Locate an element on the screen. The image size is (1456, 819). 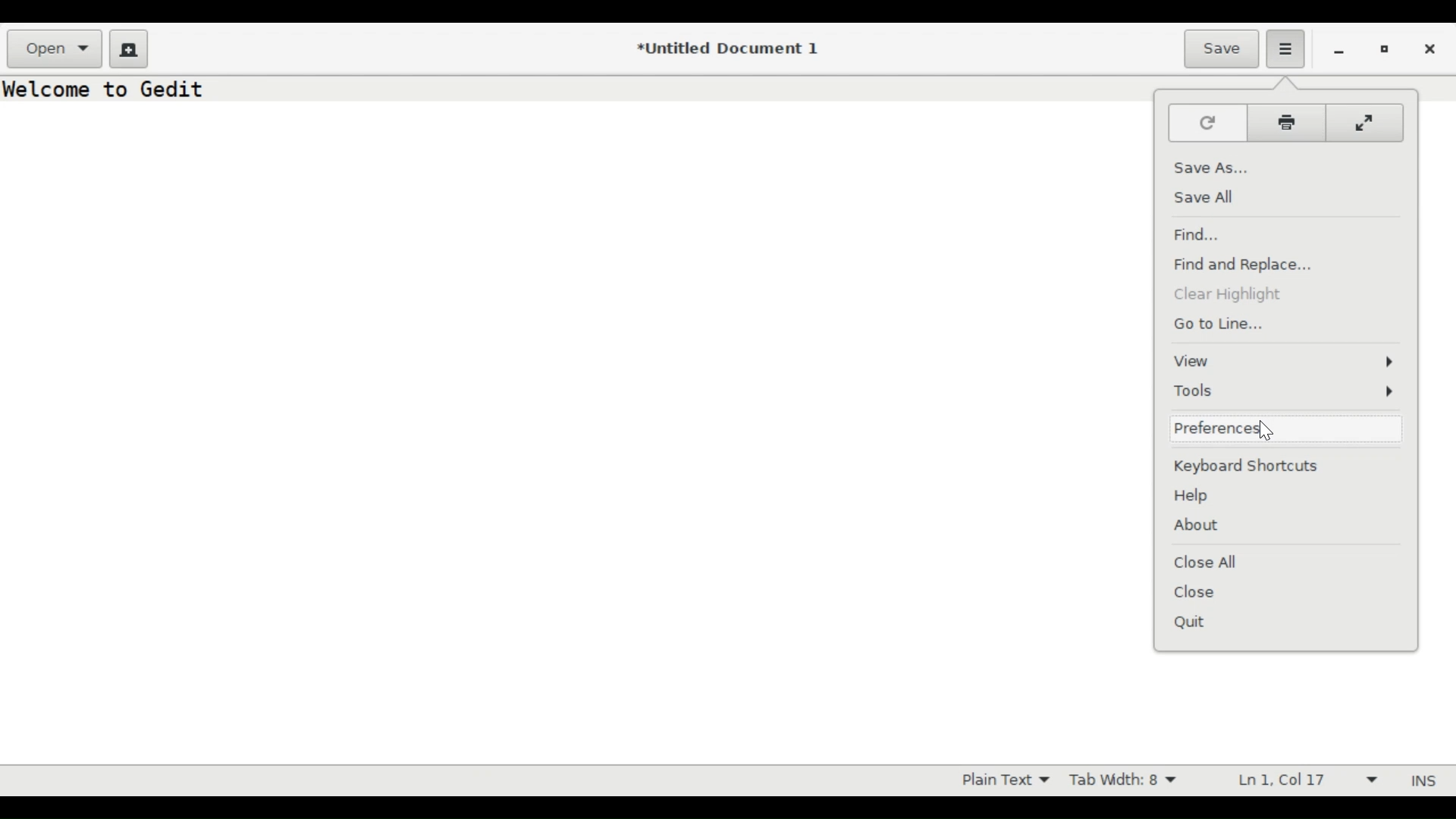
Restore is located at coordinates (1382, 49).